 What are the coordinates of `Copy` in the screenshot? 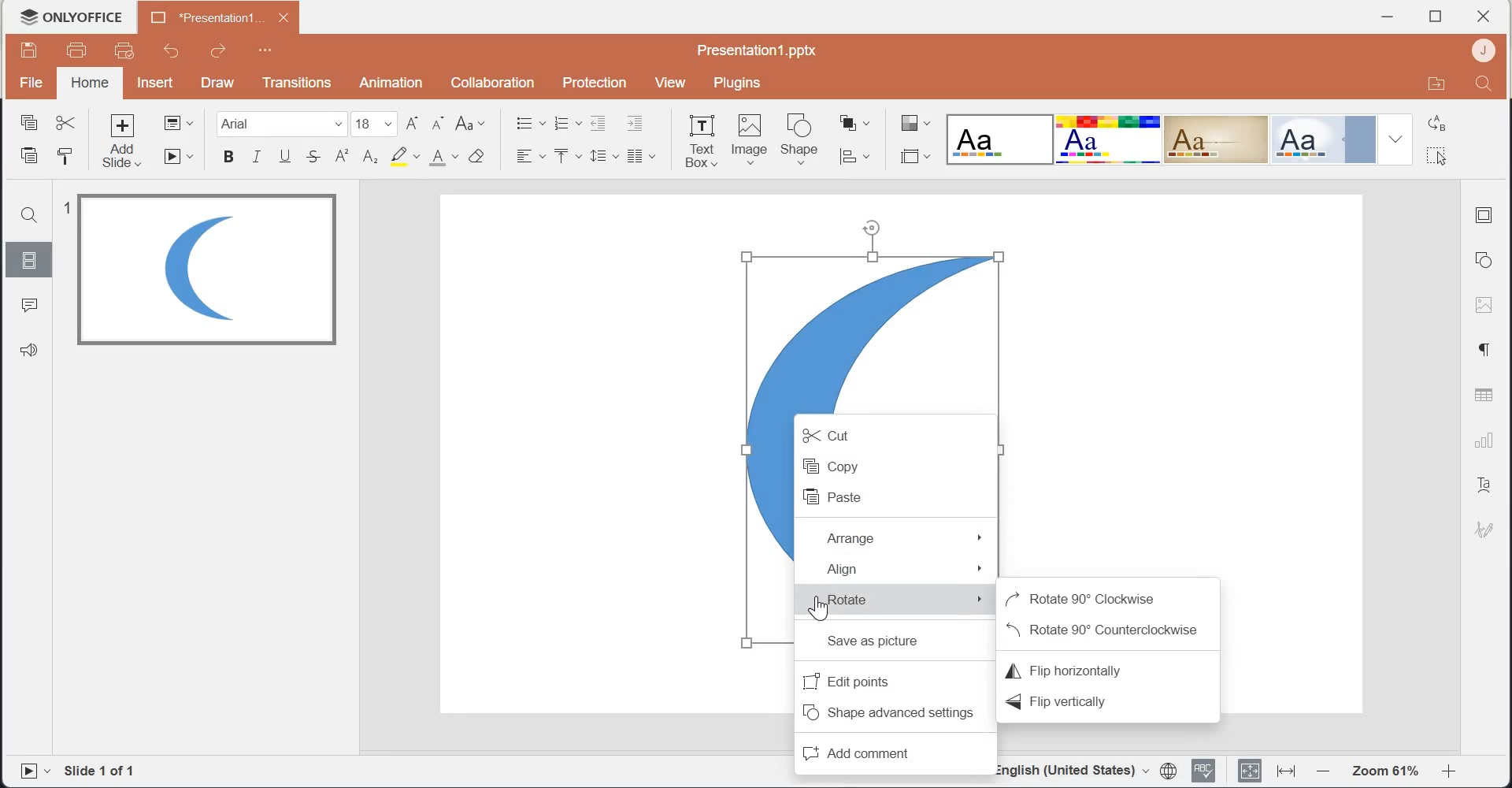 It's located at (29, 122).